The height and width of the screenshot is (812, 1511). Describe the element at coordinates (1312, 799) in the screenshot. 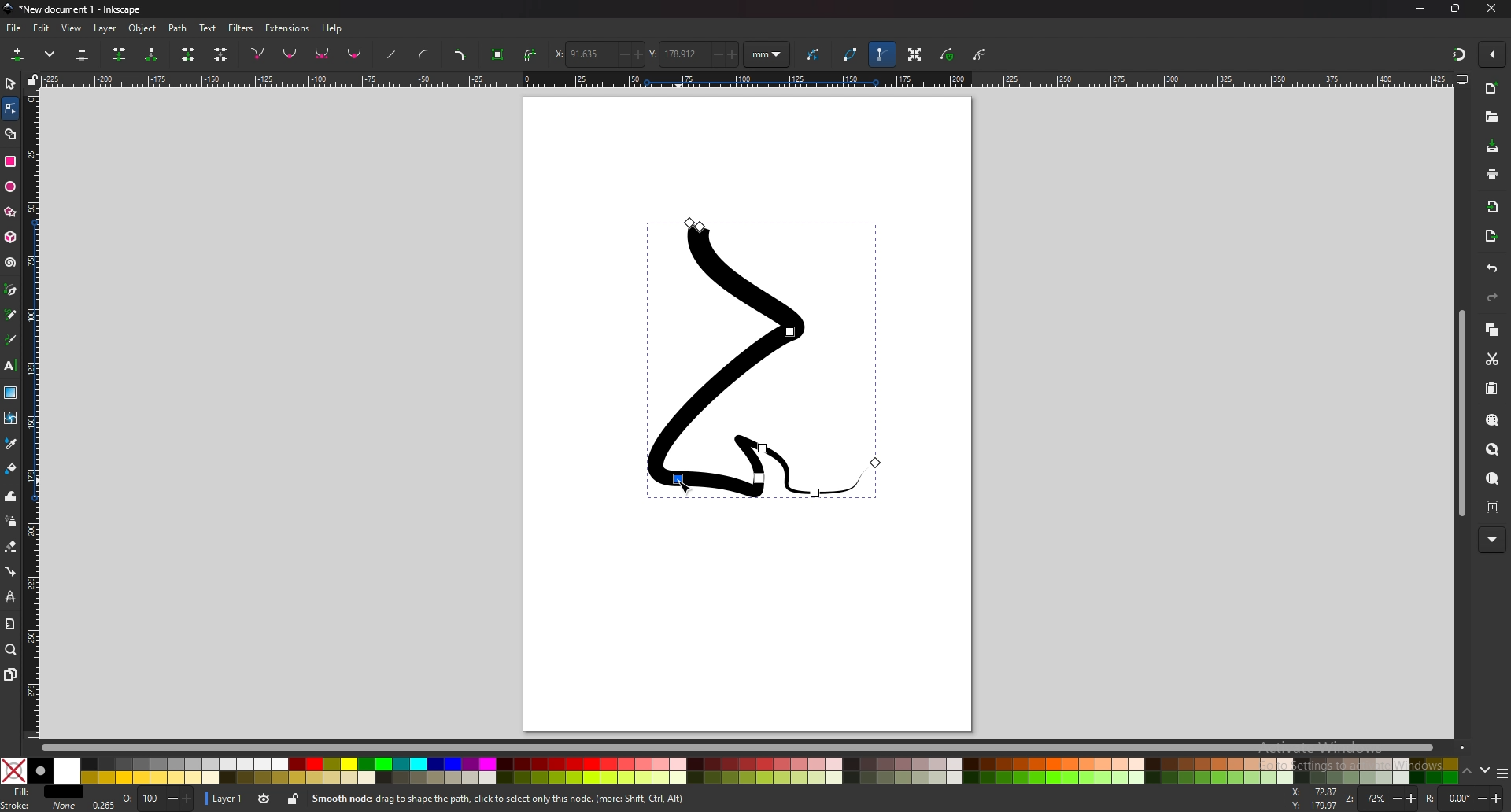

I see `mouse coordinates` at that location.